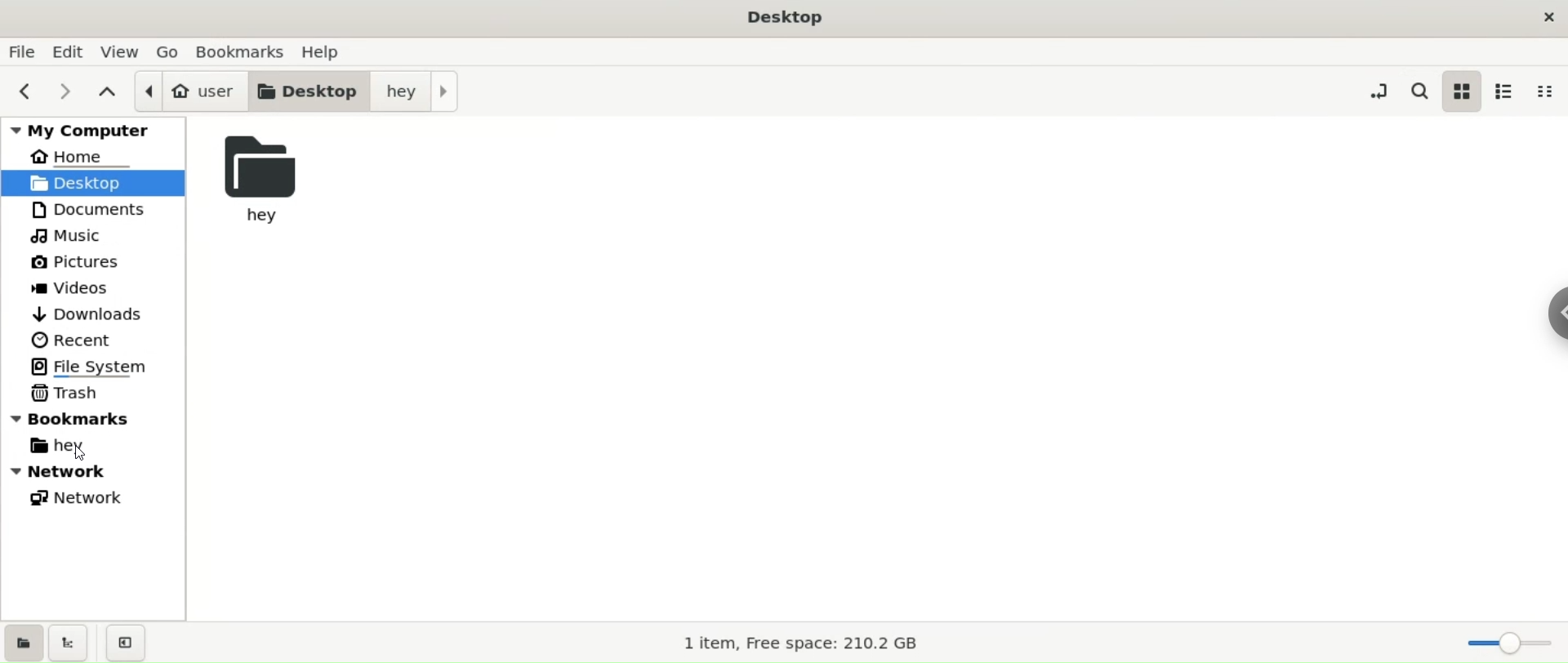 The height and width of the screenshot is (663, 1568). What do you see at coordinates (1508, 91) in the screenshot?
I see `list view` at bounding box center [1508, 91].